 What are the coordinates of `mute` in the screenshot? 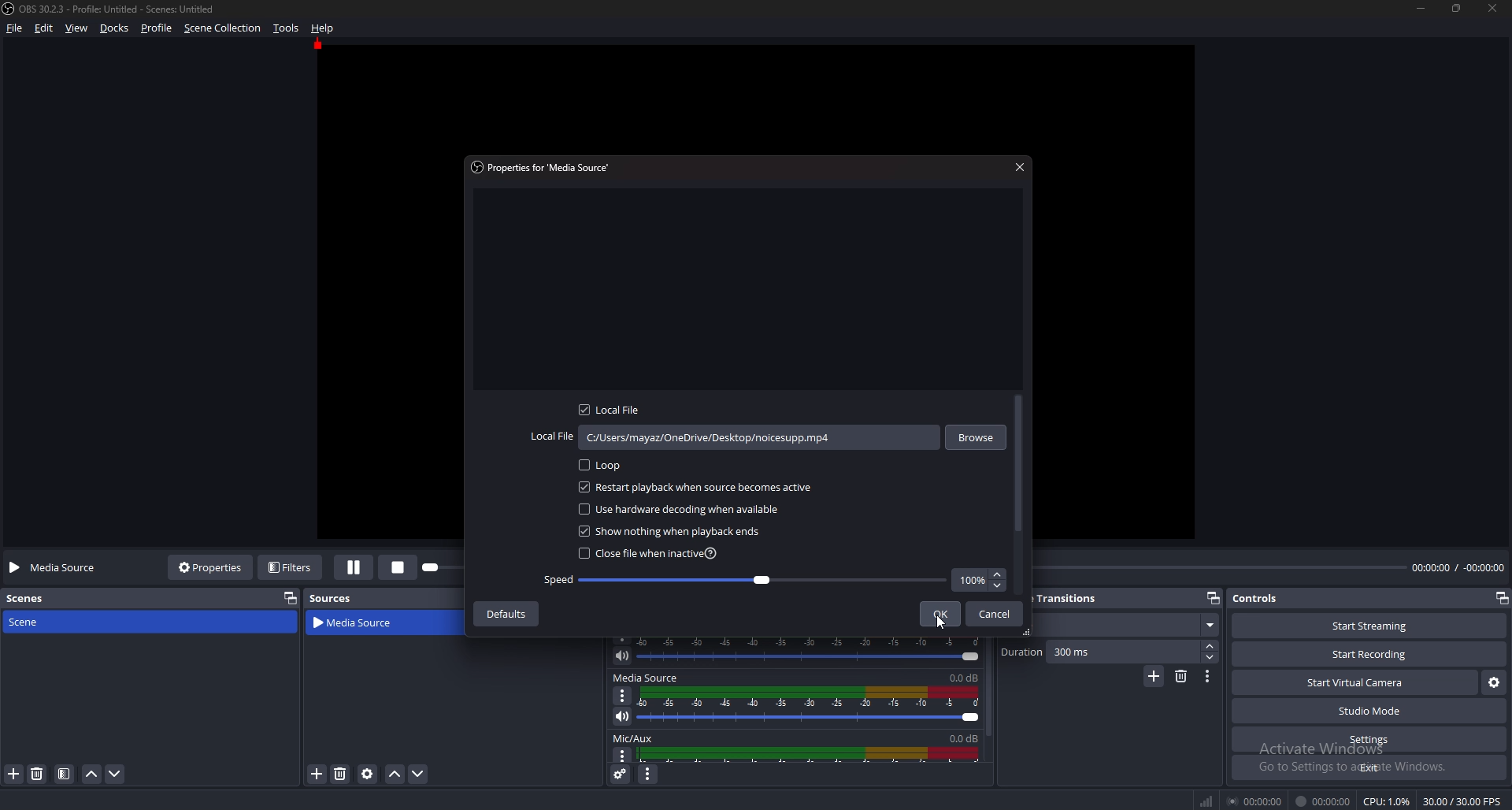 It's located at (622, 716).